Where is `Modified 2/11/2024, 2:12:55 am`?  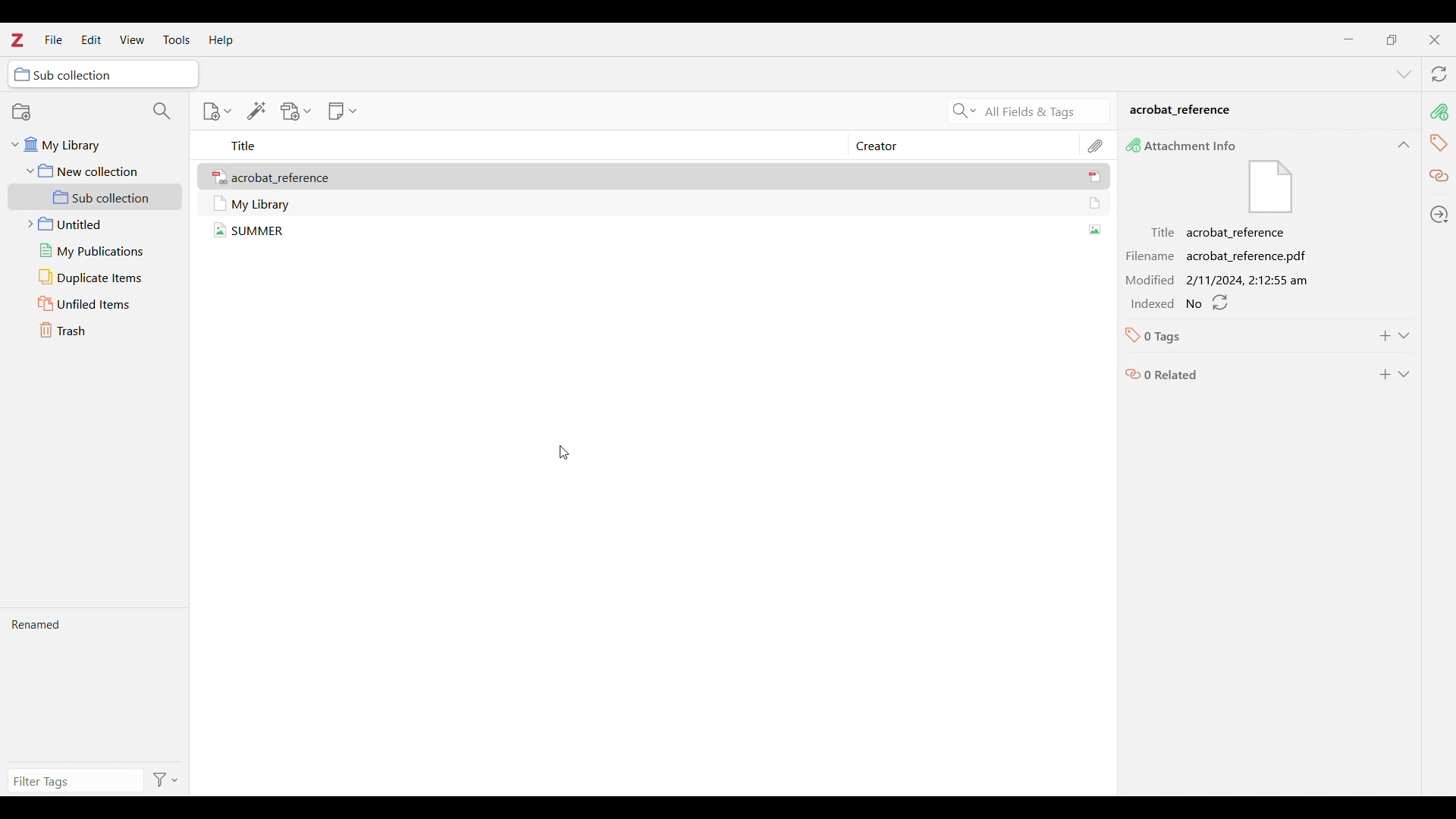
Modified 2/11/2024, 2:12:55 am is located at coordinates (1221, 278).